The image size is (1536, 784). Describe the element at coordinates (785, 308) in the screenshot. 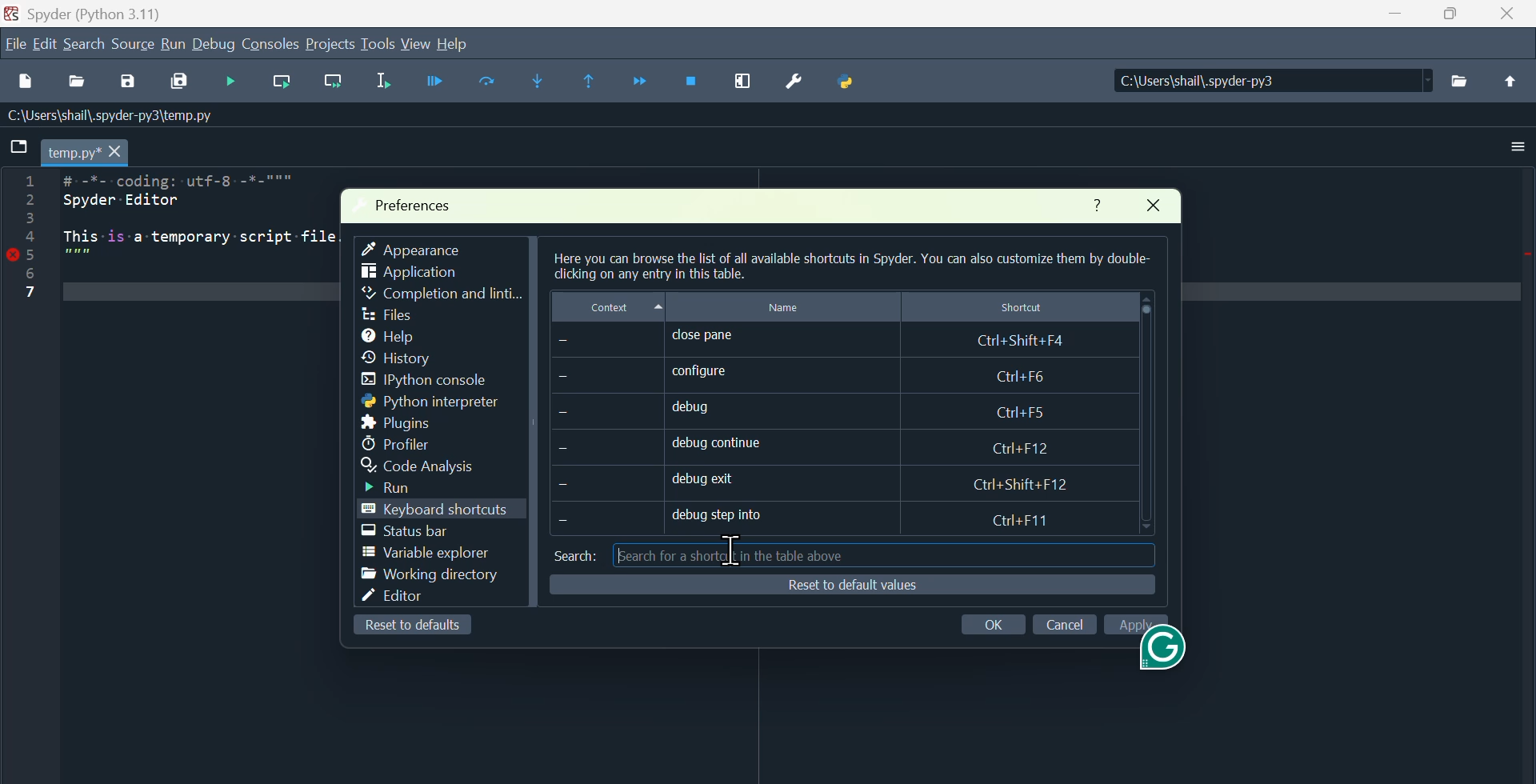

I see `Name` at that location.